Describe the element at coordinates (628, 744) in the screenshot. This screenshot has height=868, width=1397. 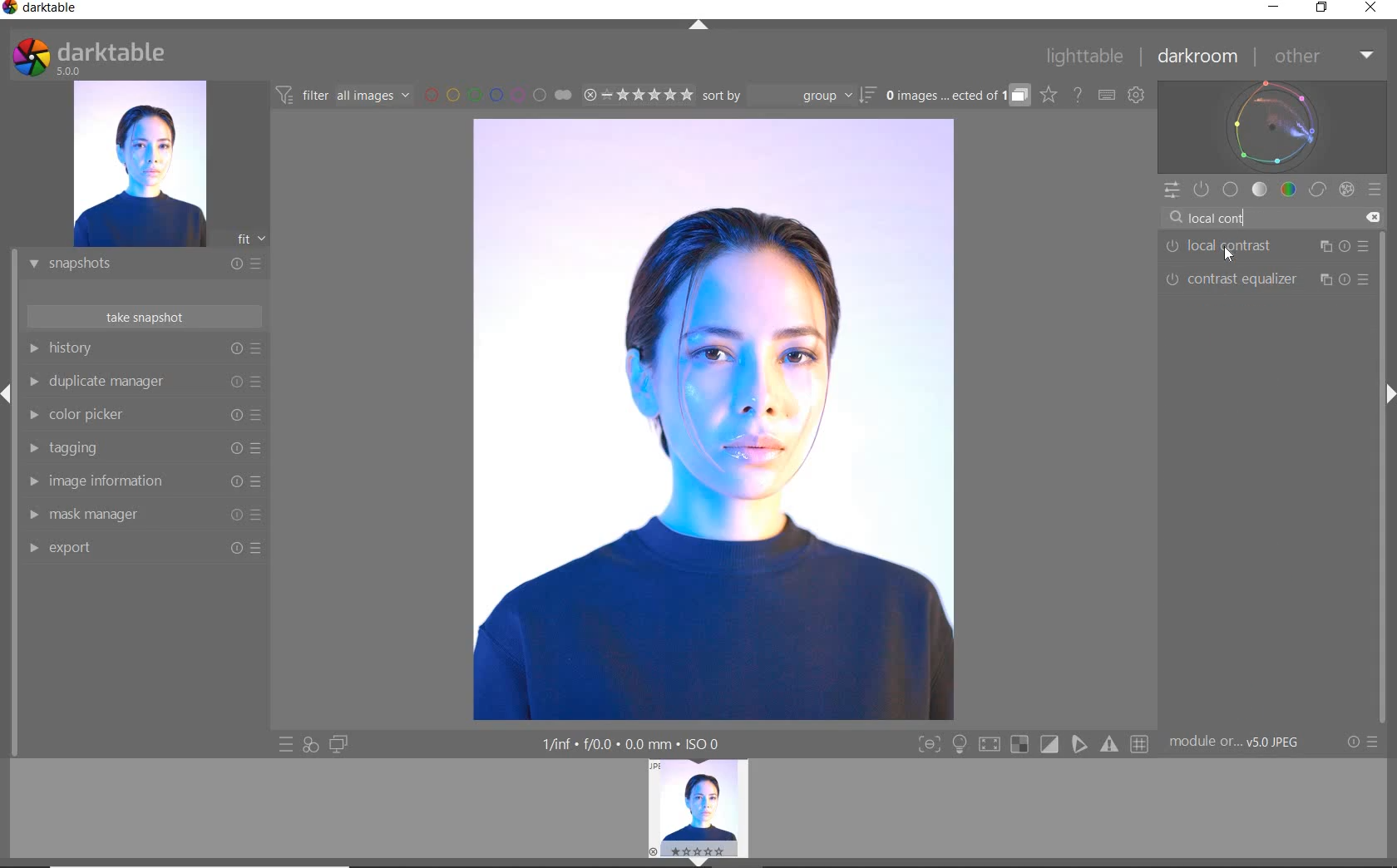
I see `DISPLAYED GUI INFO` at that location.